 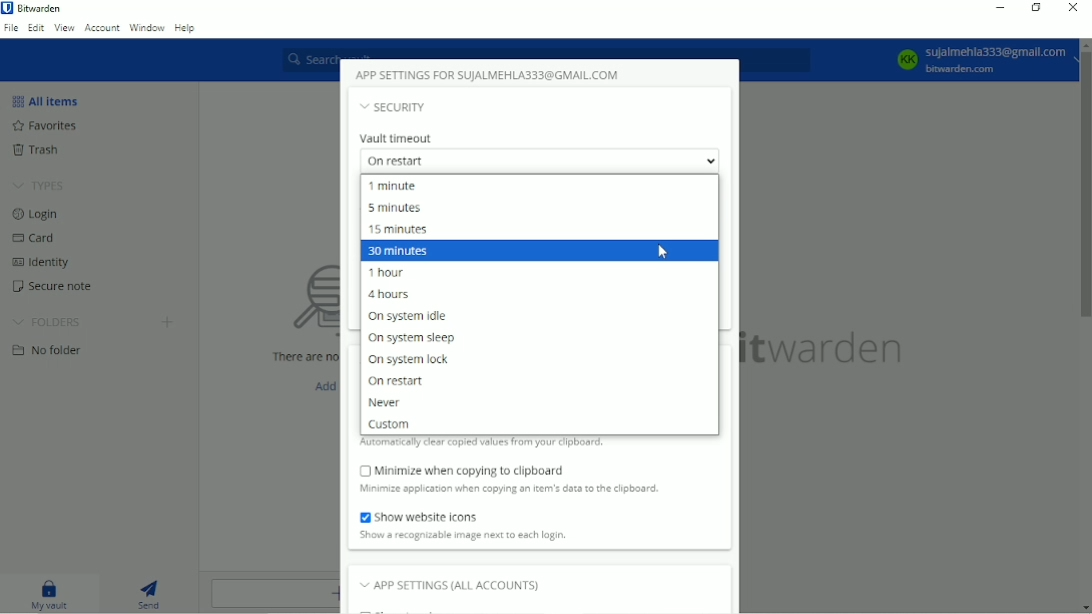 I want to click on scroll down, so click(x=1084, y=608).